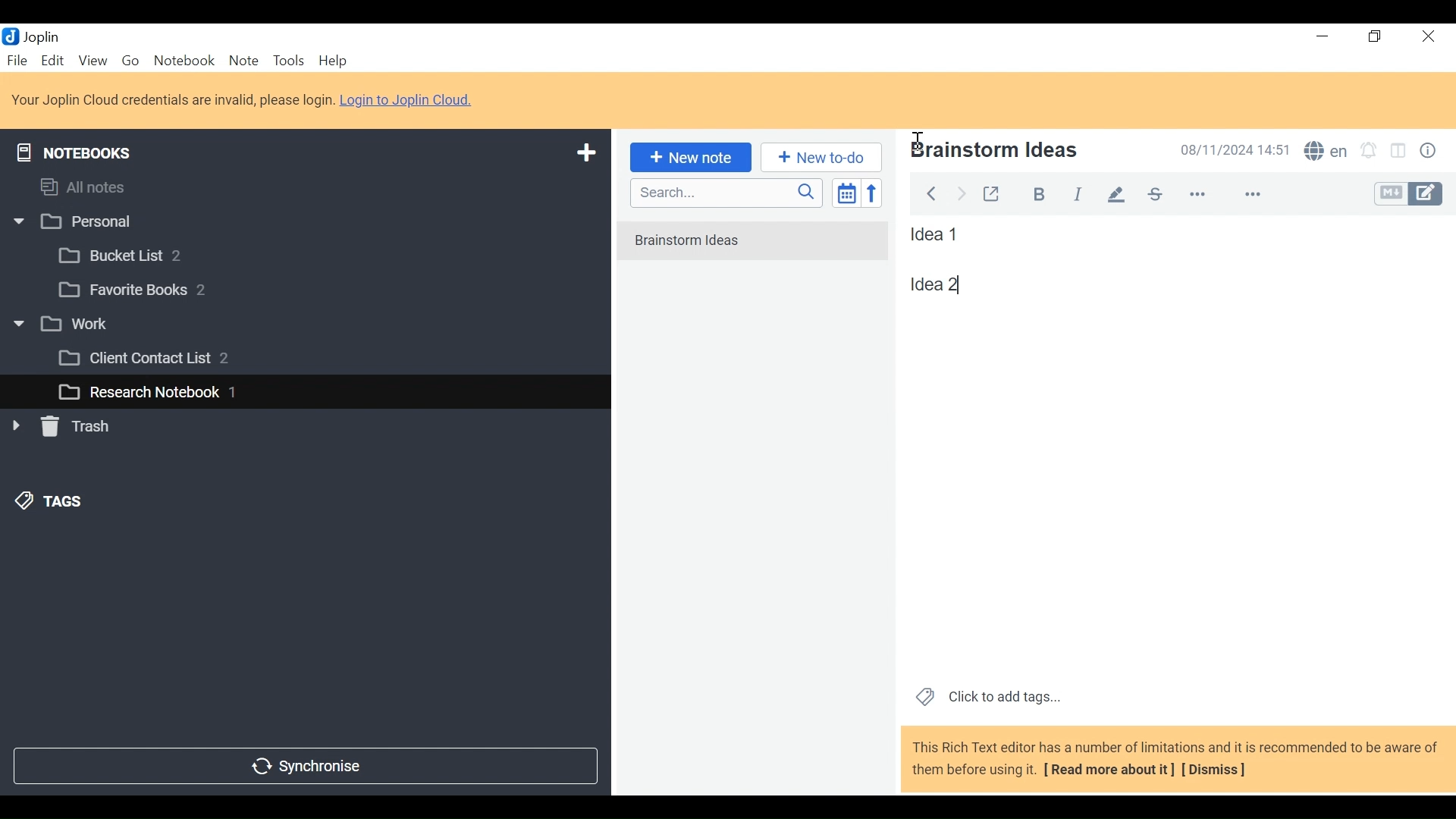 This screenshot has height=819, width=1456. Describe the element at coordinates (937, 234) in the screenshot. I see `note view` at that location.